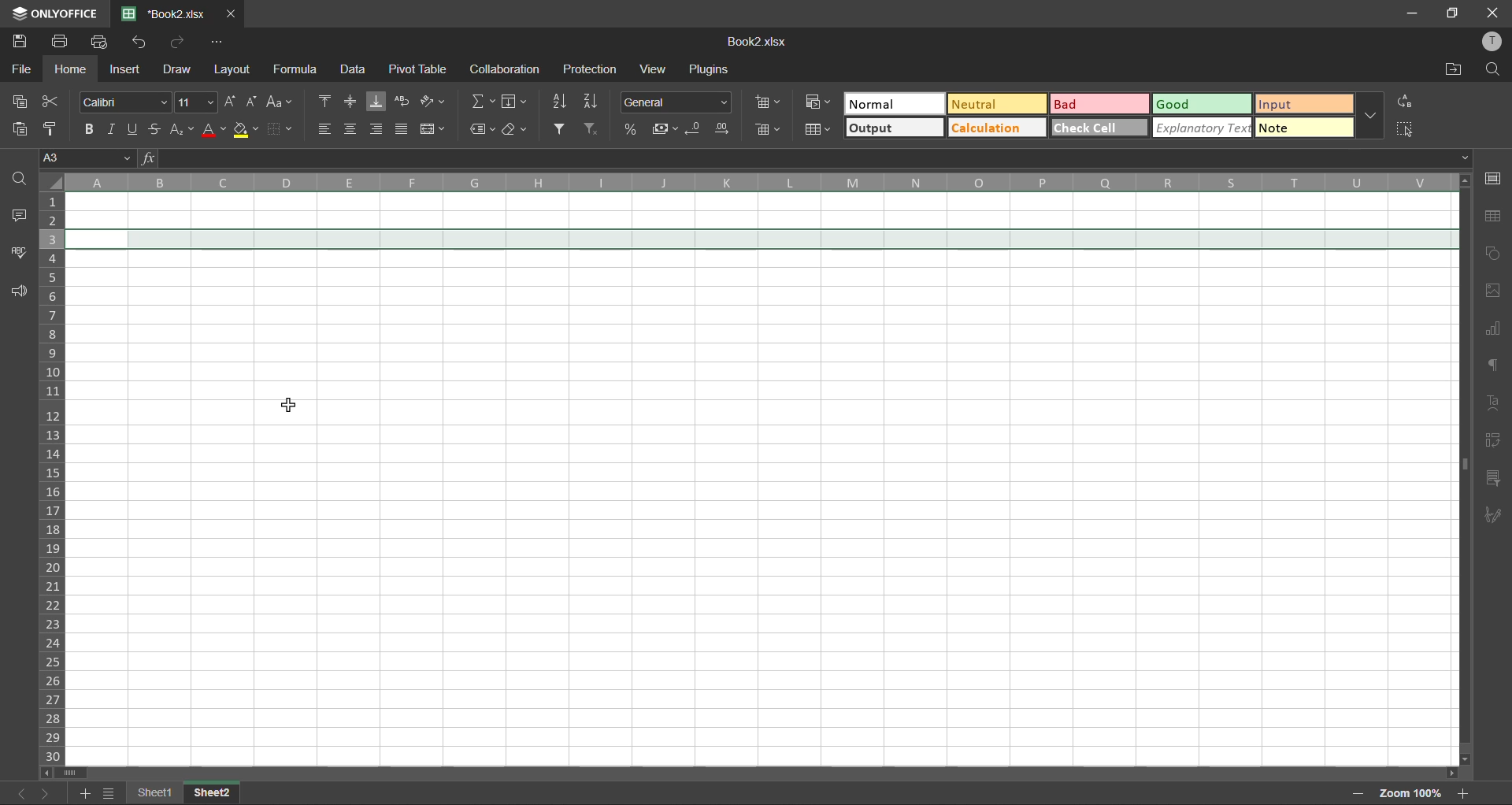 The height and width of the screenshot is (805, 1512). What do you see at coordinates (1496, 329) in the screenshot?
I see `charts` at bounding box center [1496, 329].